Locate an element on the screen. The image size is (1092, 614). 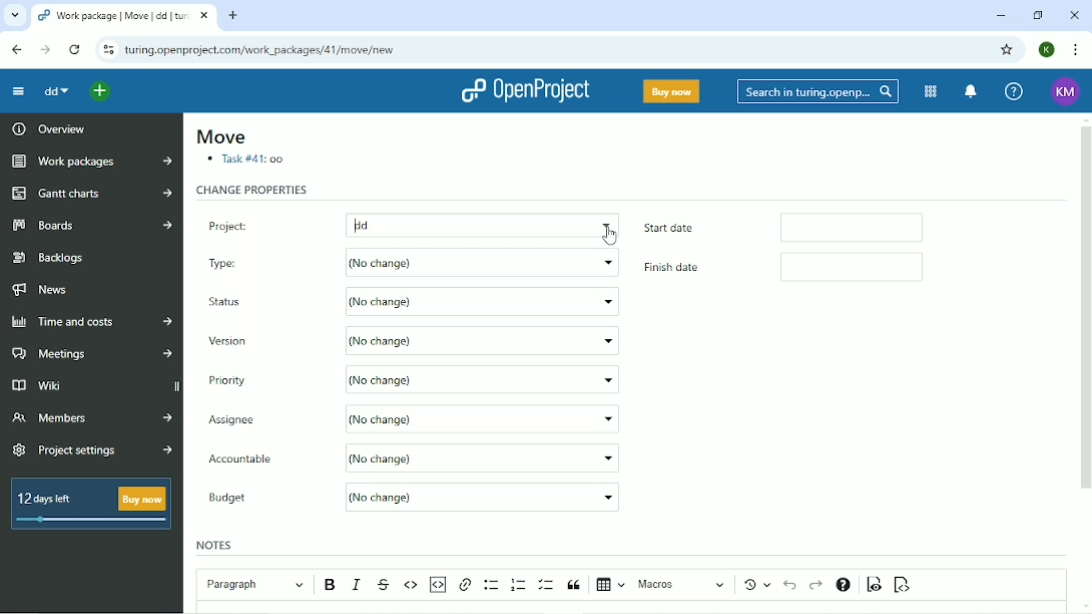
Site is located at coordinates (260, 51).